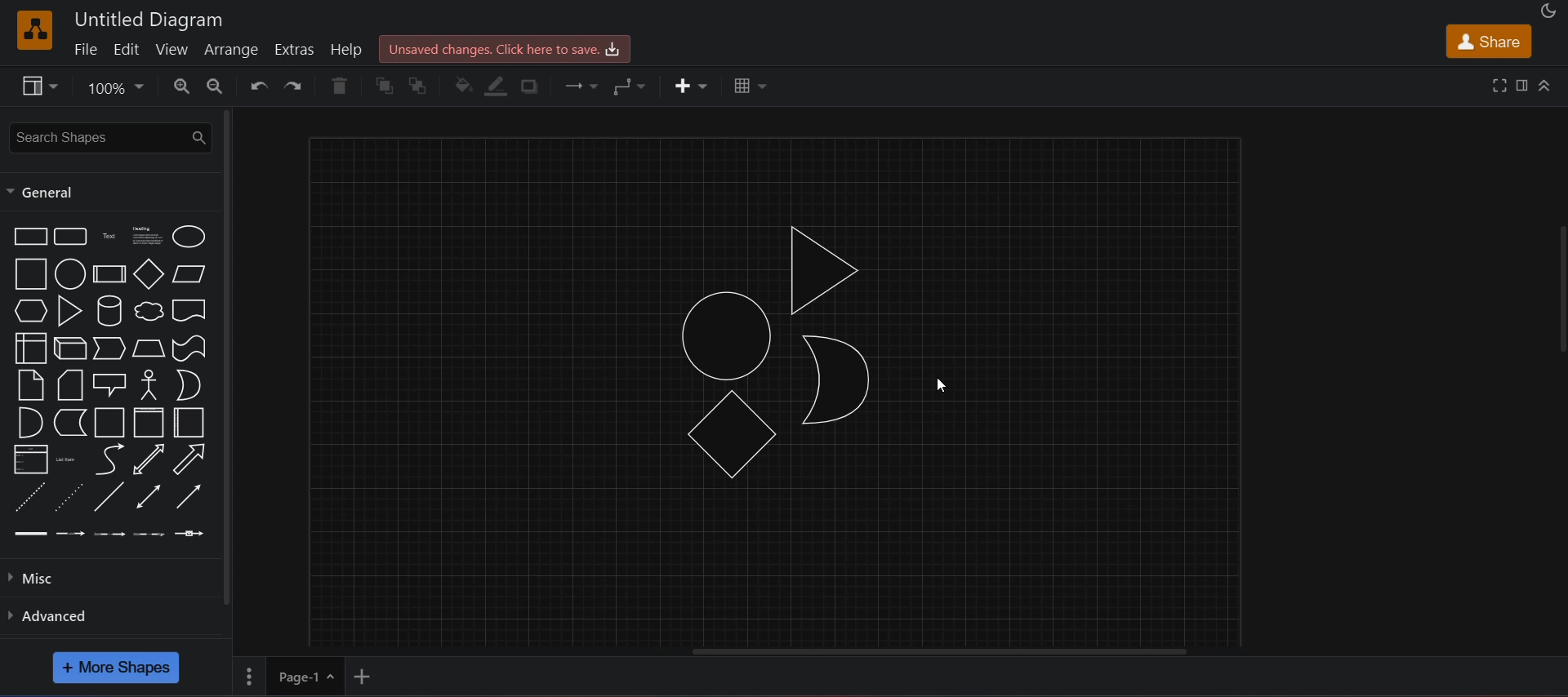 Image resolution: width=1568 pixels, height=697 pixels. Describe the element at coordinates (146, 238) in the screenshot. I see `heading` at that location.